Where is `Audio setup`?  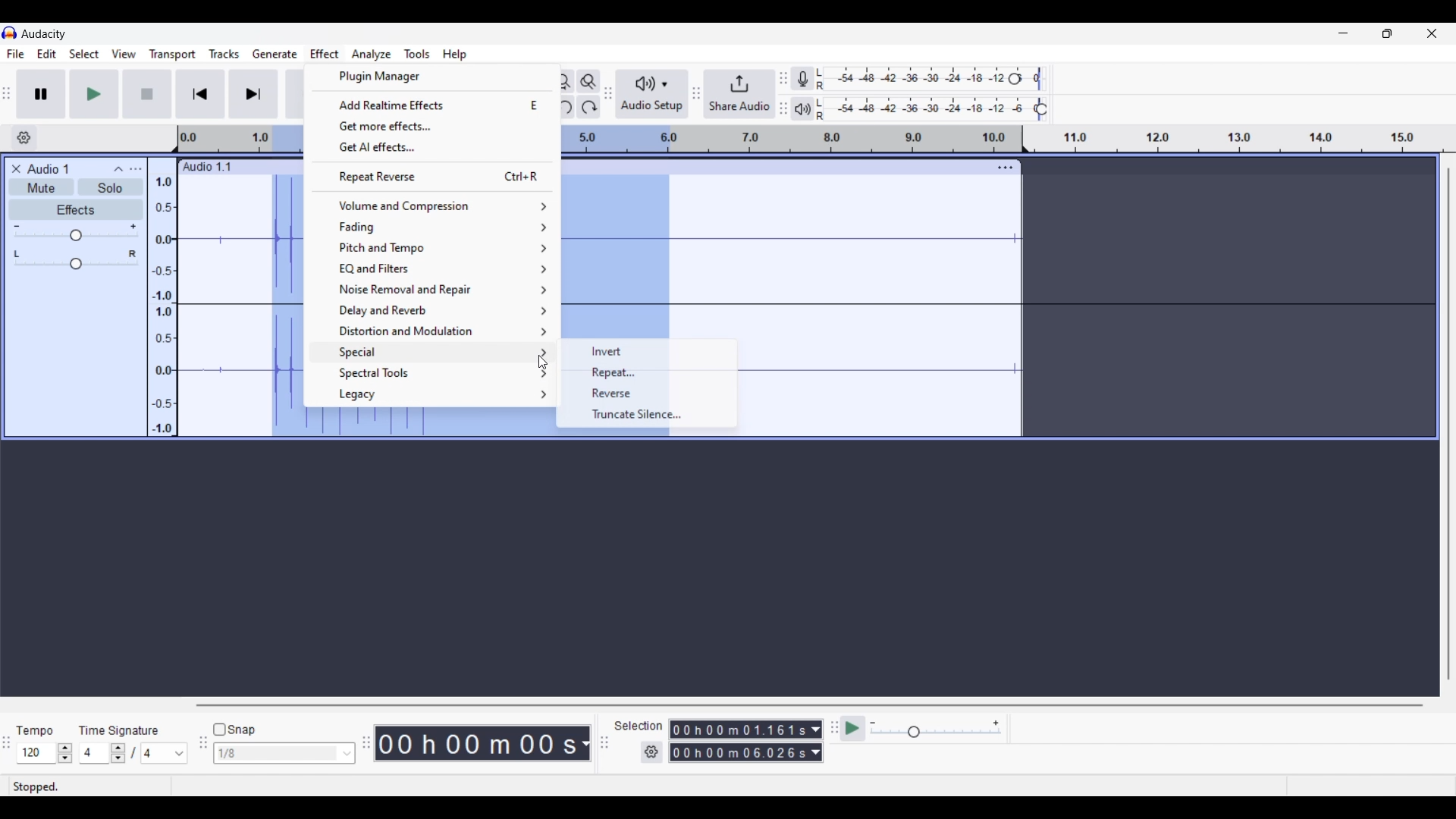 Audio setup is located at coordinates (653, 94).